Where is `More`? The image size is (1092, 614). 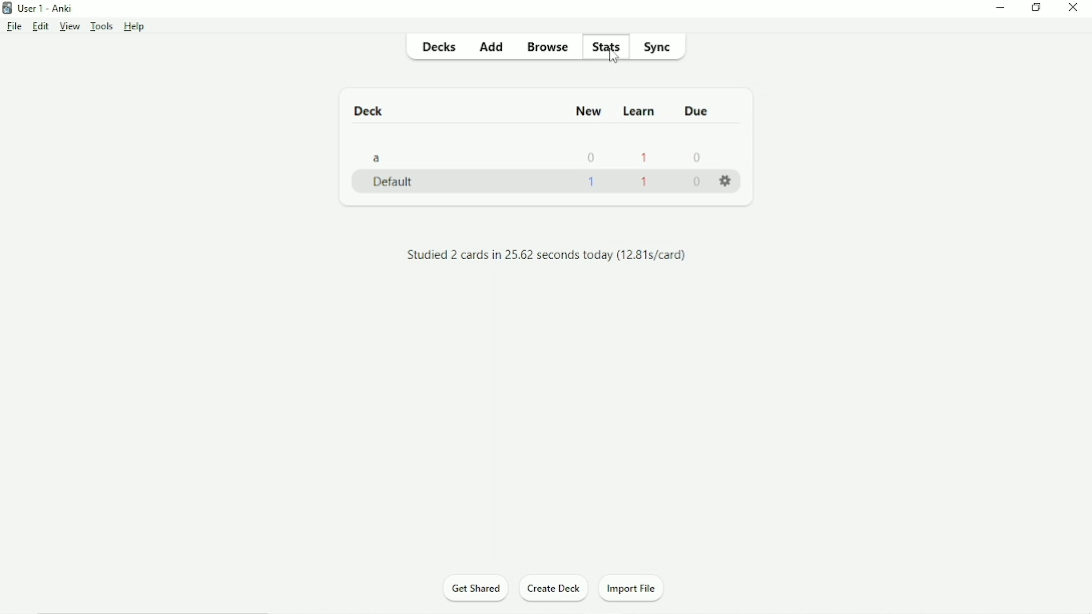
More is located at coordinates (726, 181).